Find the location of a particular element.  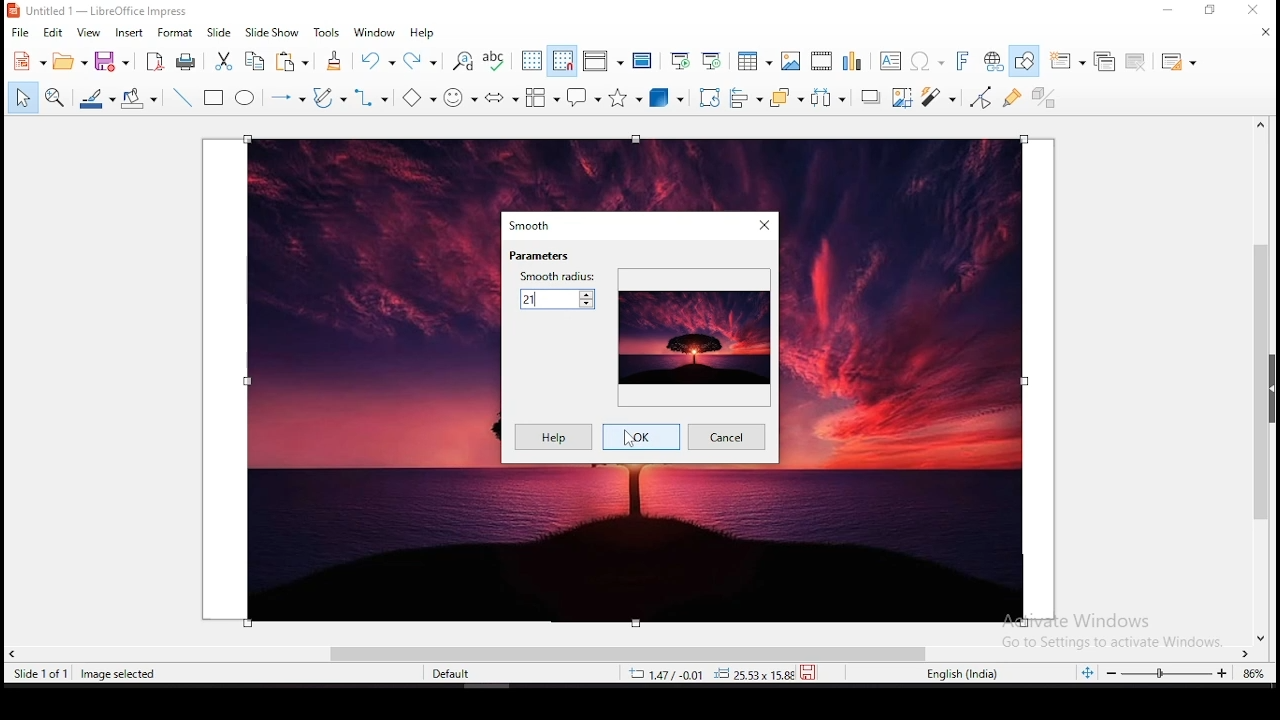

scroll bar is located at coordinates (631, 652).